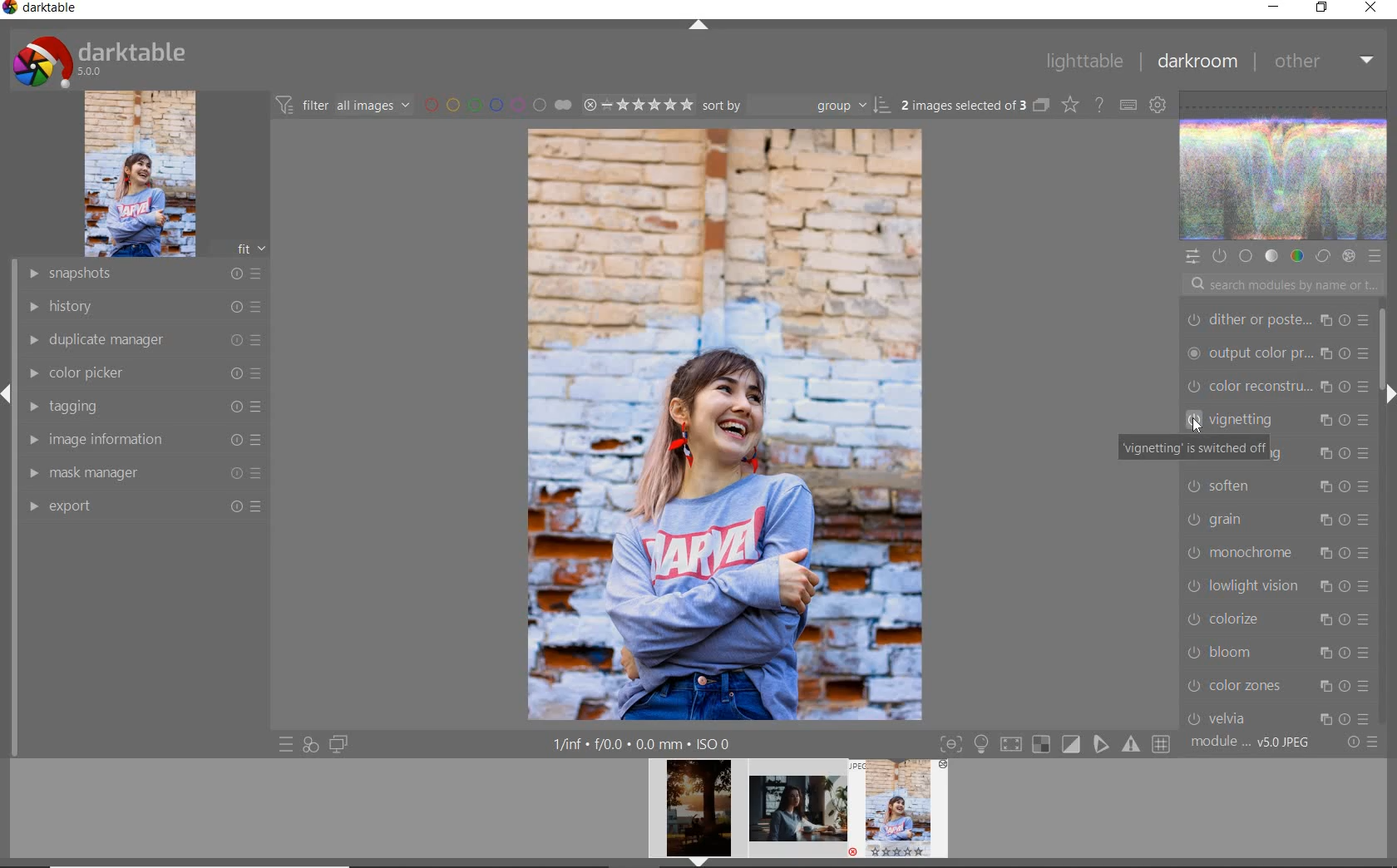  I want to click on graduated density, so click(1279, 318).